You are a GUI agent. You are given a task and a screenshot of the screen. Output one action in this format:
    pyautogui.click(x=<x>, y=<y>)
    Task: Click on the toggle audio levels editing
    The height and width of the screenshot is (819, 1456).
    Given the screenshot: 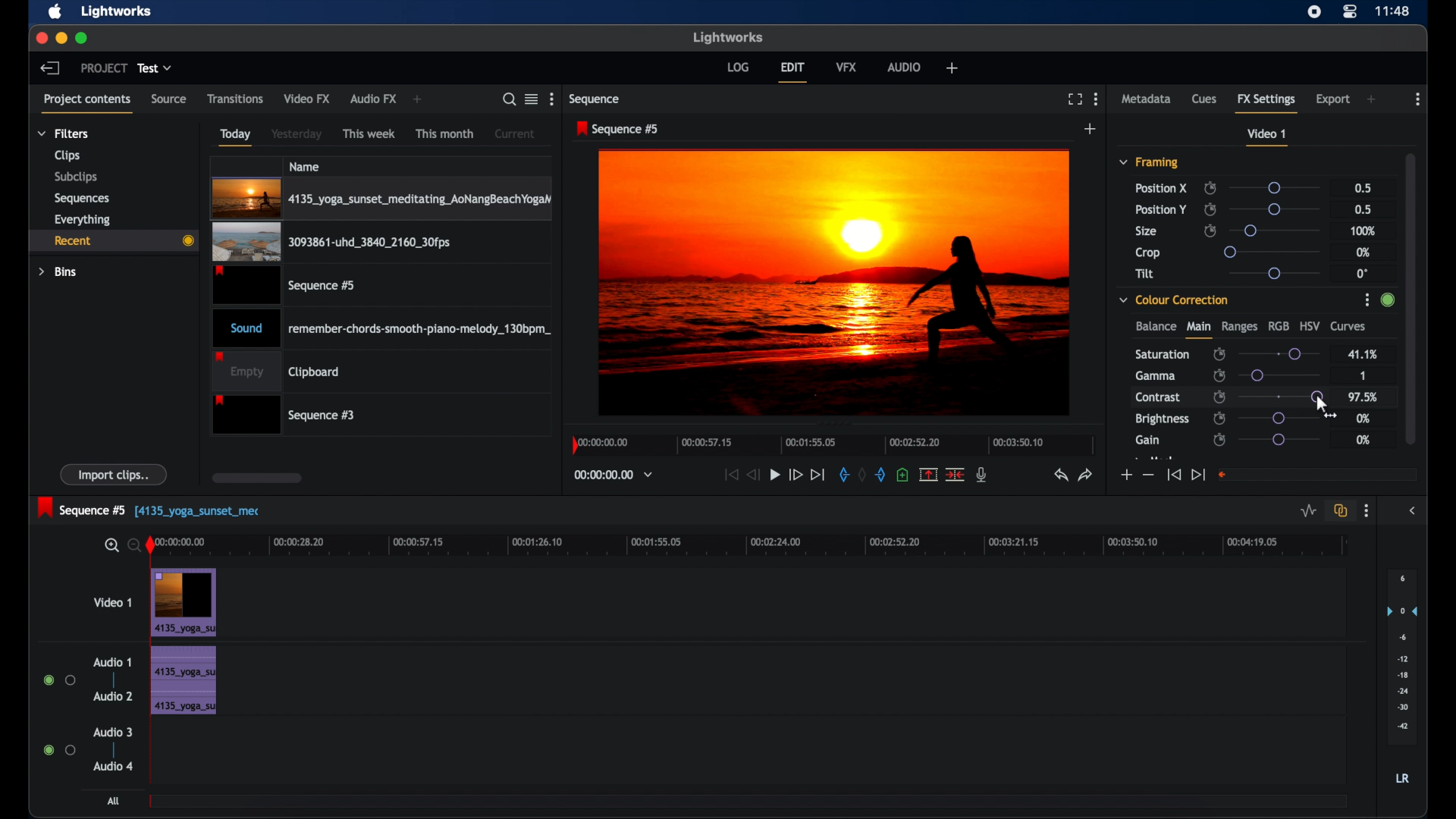 What is the action you would take?
    pyautogui.click(x=1307, y=510)
    